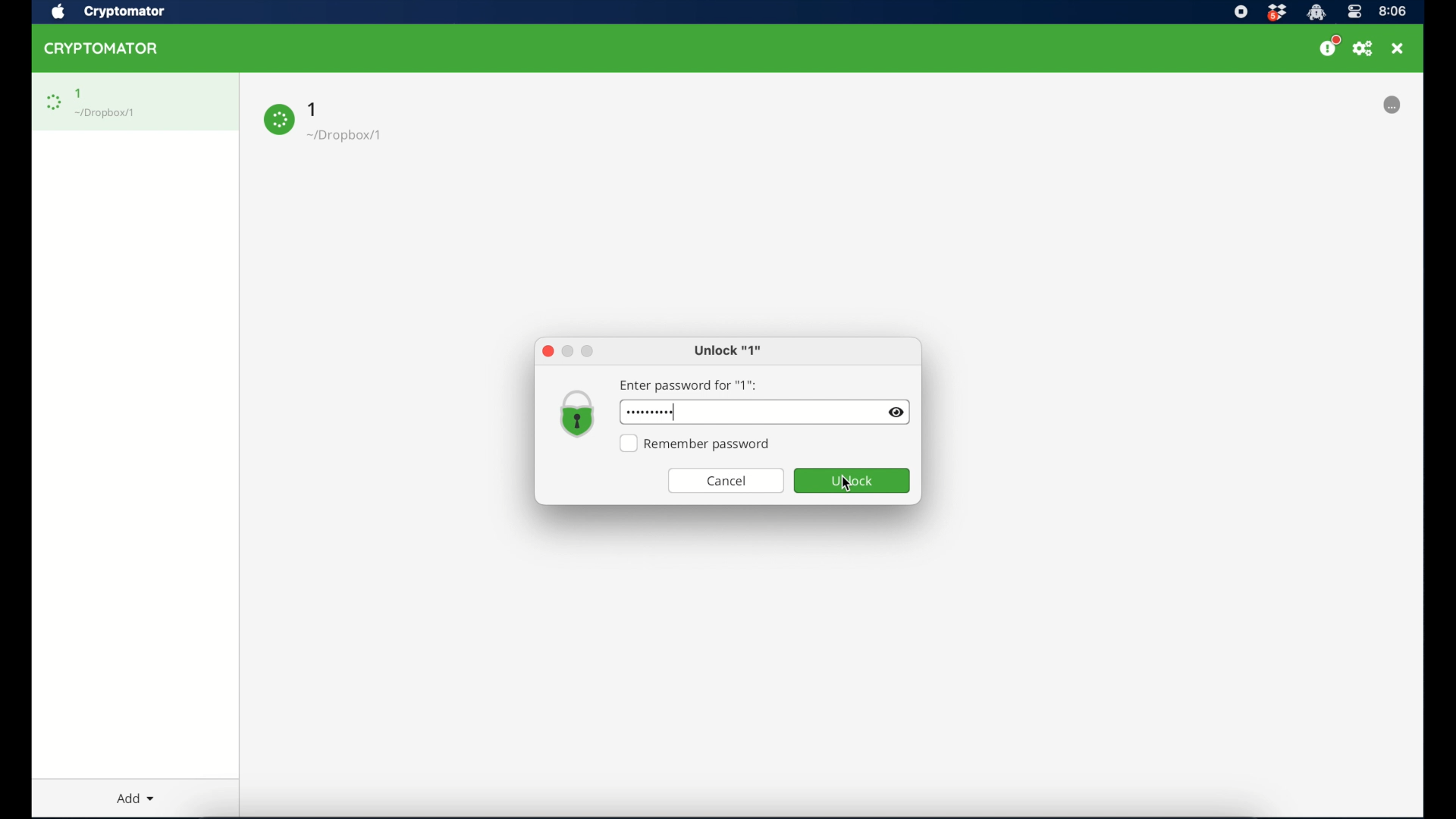  I want to click on preferences, so click(1363, 49).